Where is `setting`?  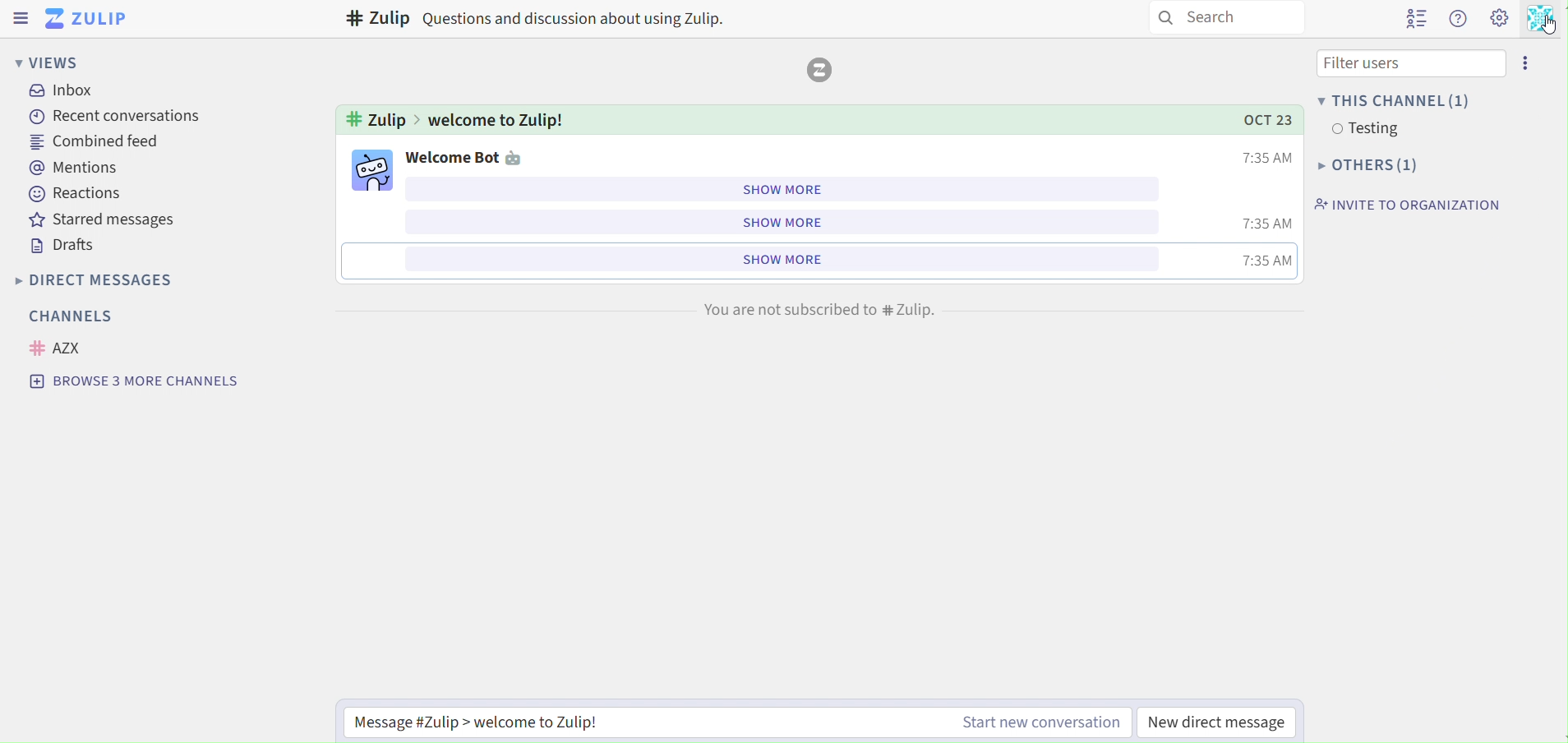 setting is located at coordinates (1499, 21).